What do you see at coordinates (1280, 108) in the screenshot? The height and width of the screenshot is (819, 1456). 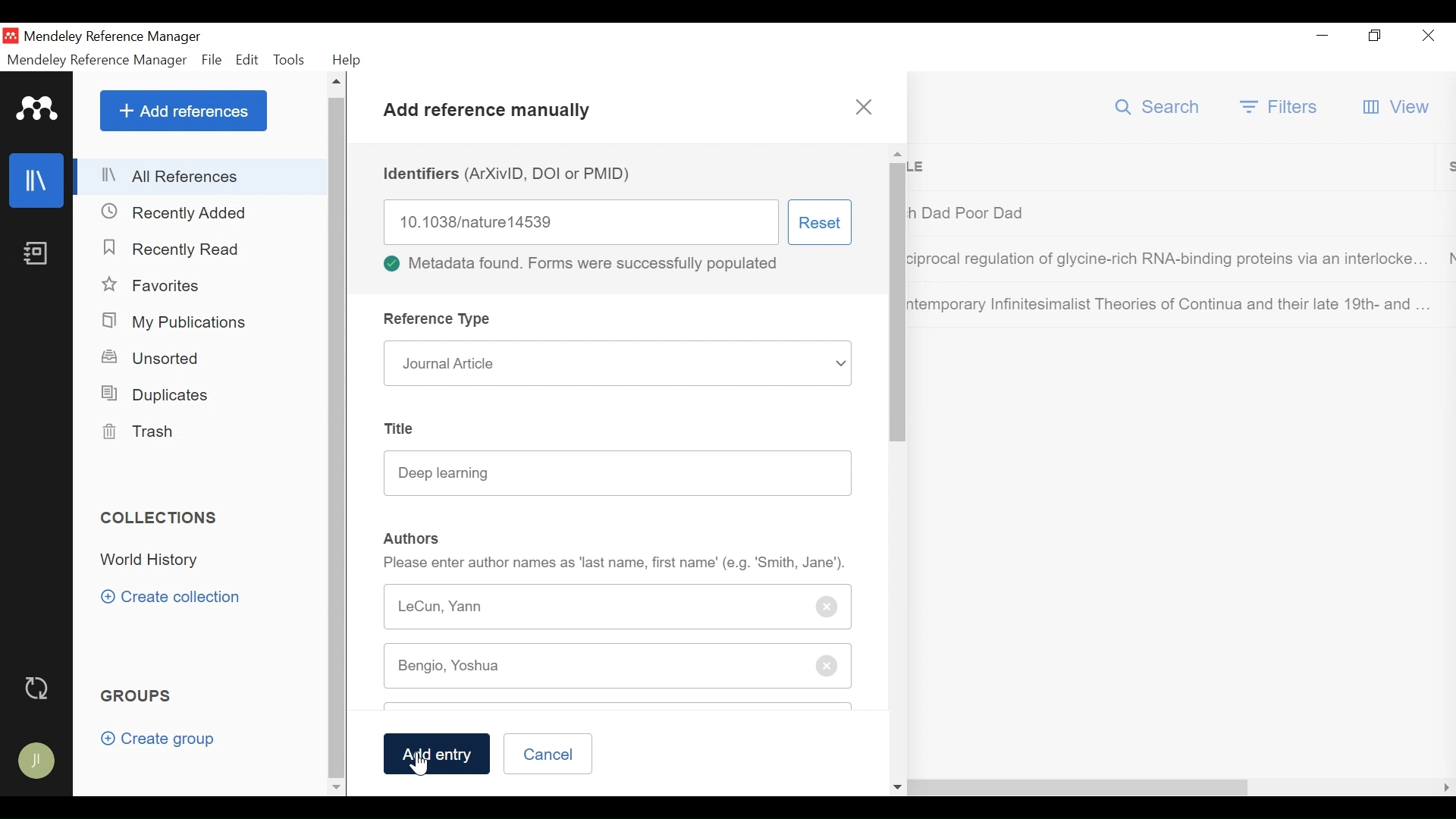 I see `Filter` at bounding box center [1280, 108].